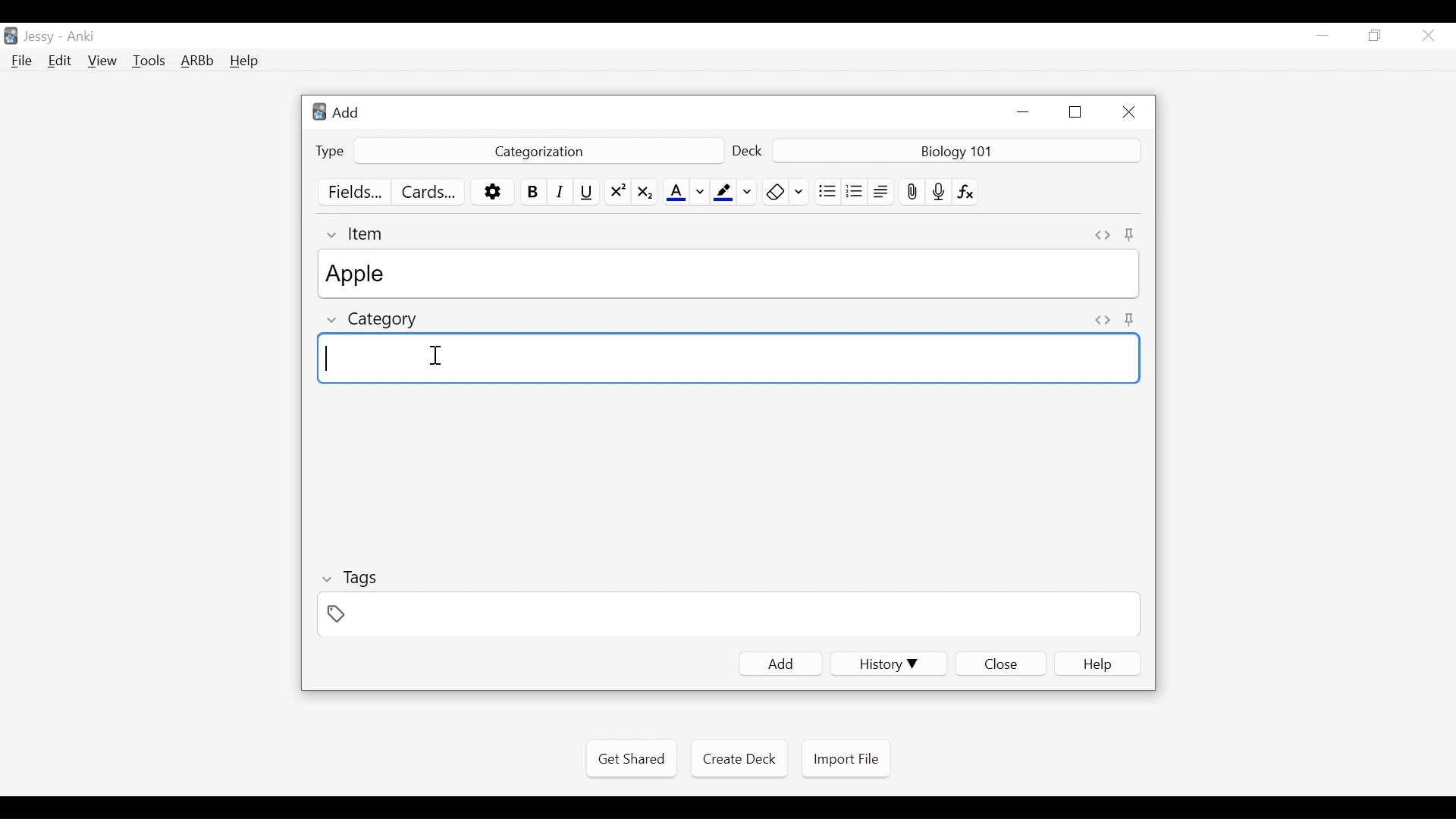 This screenshot has height=819, width=1456. Describe the element at coordinates (1322, 36) in the screenshot. I see `minimize` at that location.